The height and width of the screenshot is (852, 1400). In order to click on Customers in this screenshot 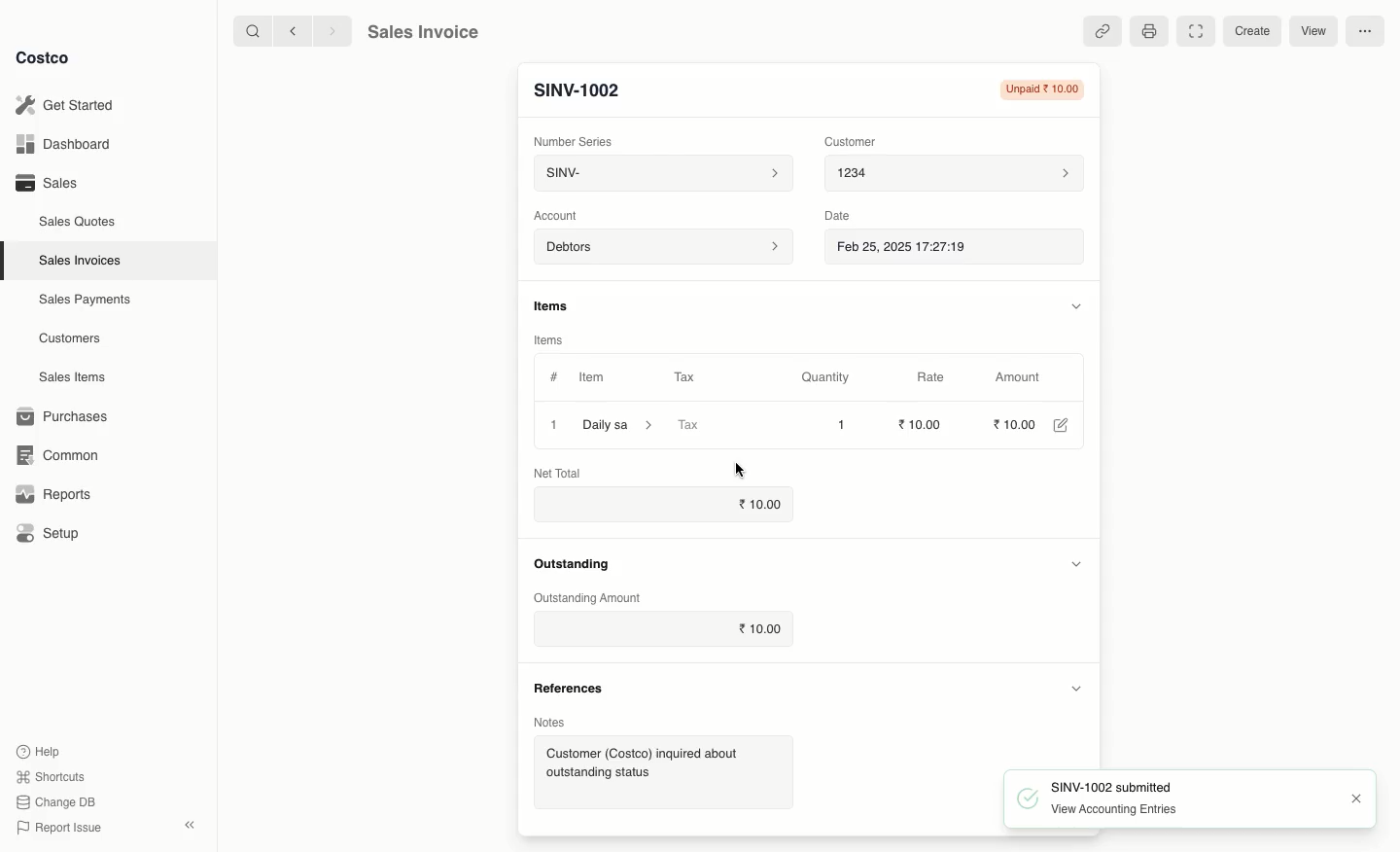, I will do `click(68, 337)`.